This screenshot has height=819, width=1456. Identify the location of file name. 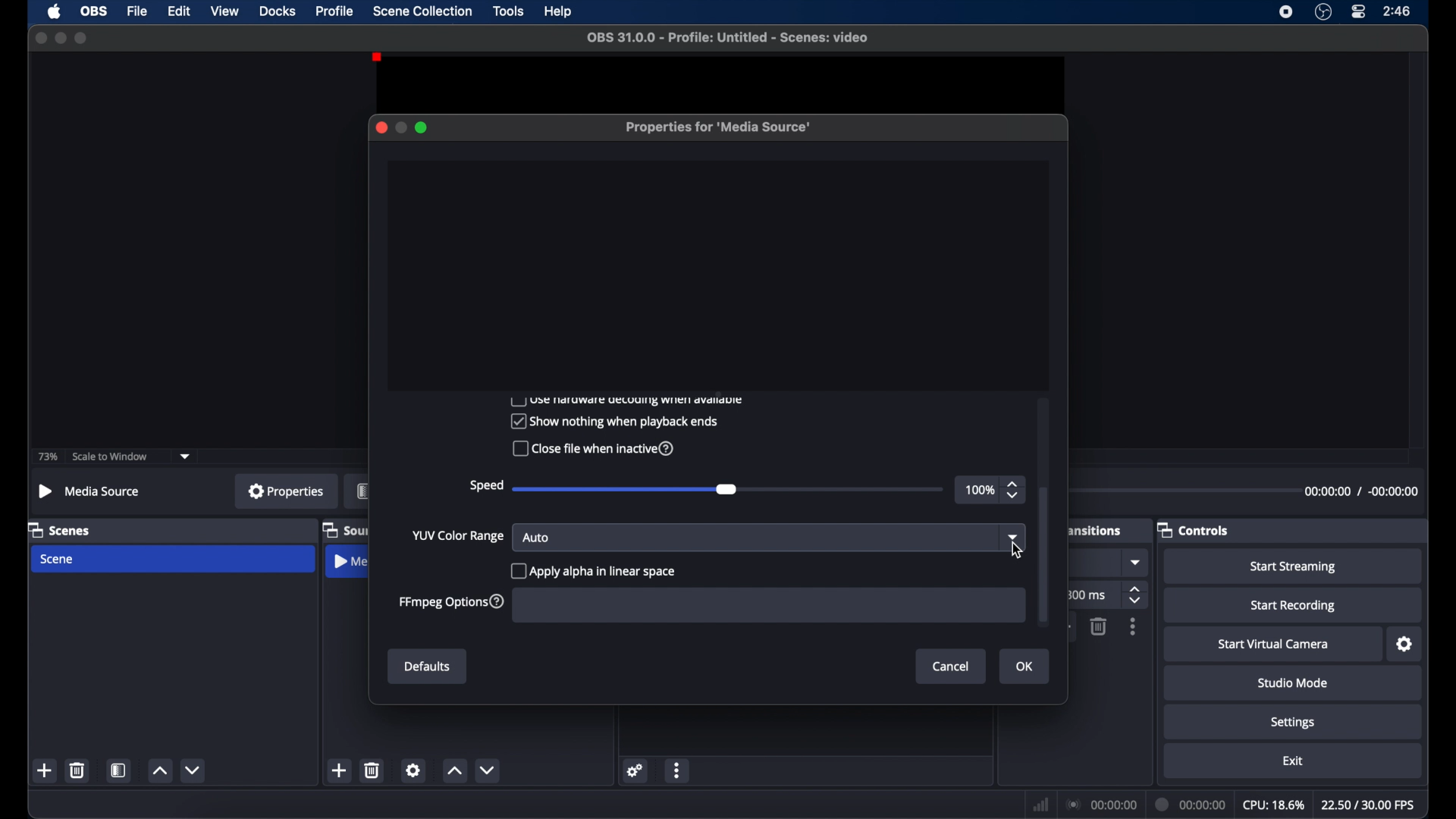
(727, 37).